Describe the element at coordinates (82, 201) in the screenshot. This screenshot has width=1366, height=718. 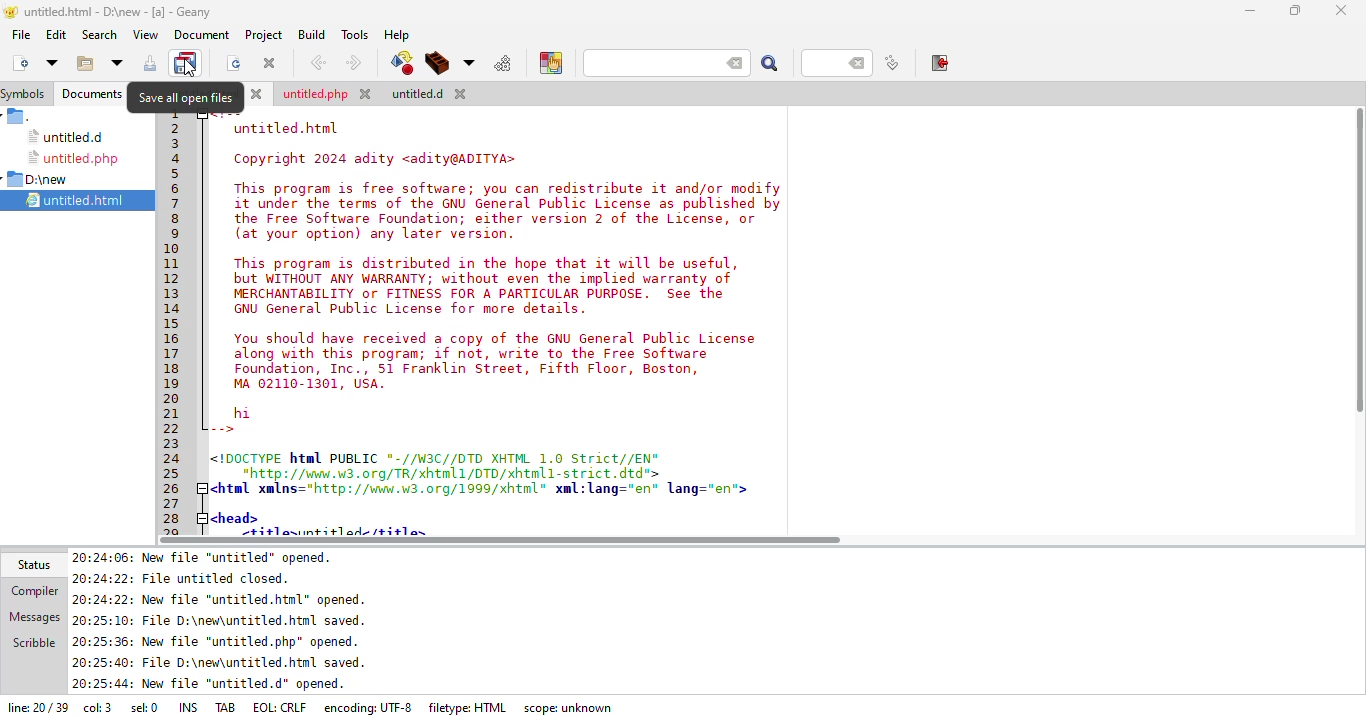
I see `untitled` at that location.